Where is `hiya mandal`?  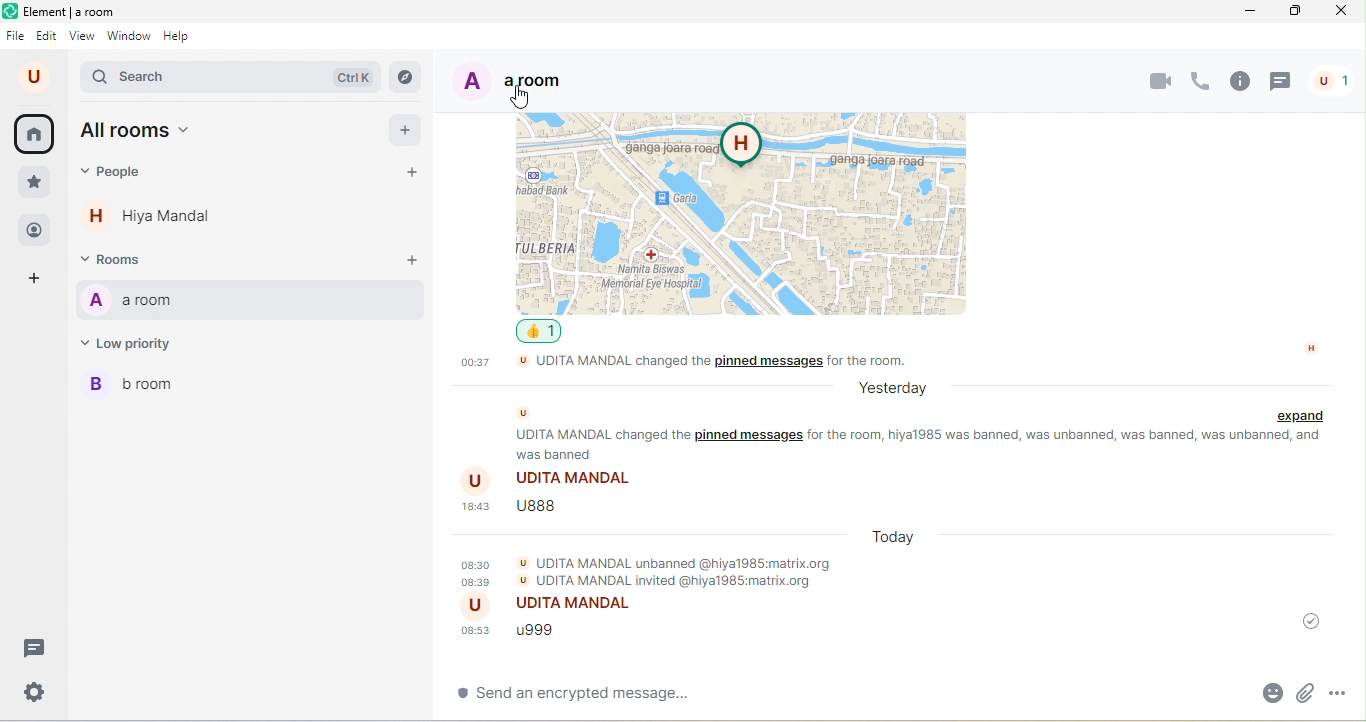
hiya mandal is located at coordinates (157, 220).